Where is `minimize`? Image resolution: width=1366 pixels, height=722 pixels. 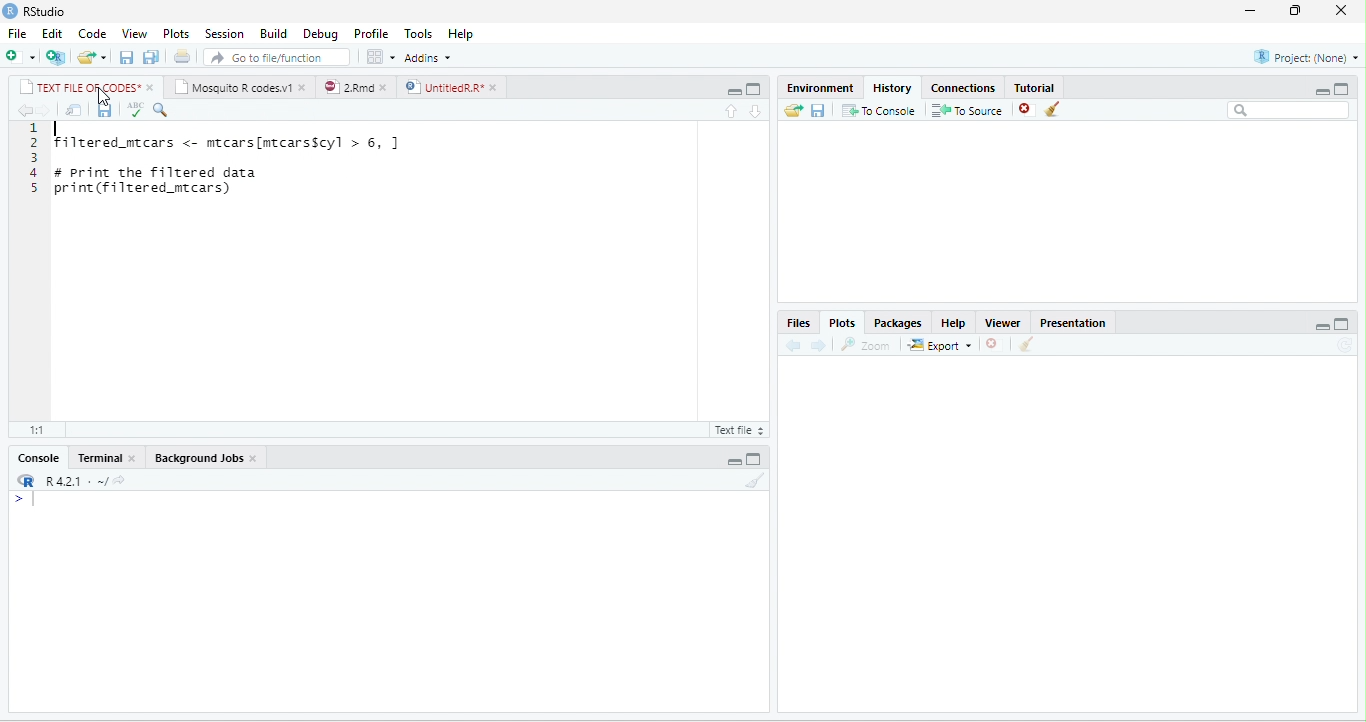
minimize is located at coordinates (1321, 91).